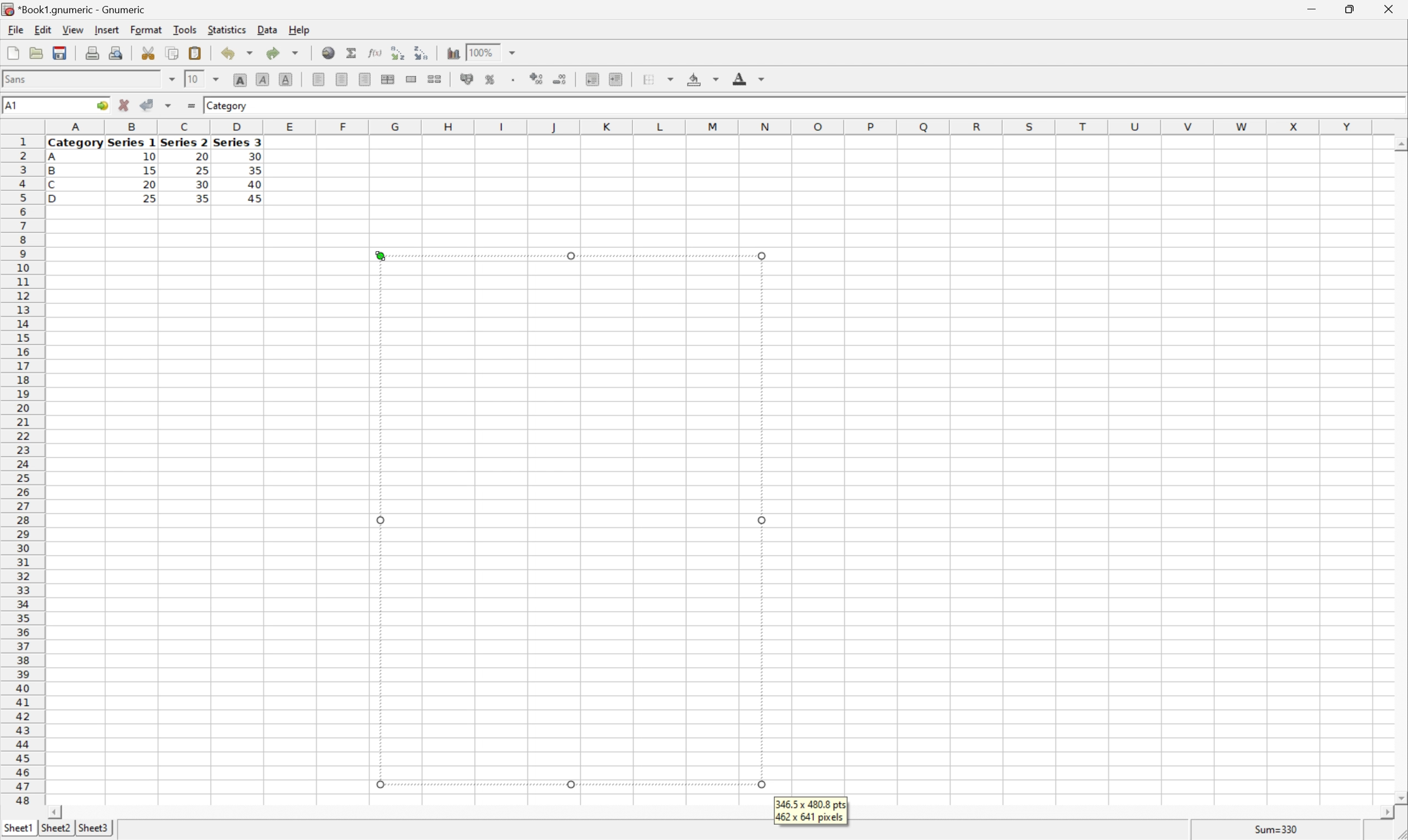 This screenshot has height=840, width=1408. Describe the element at coordinates (701, 78) in the screenshot. I see `Background` at that location.